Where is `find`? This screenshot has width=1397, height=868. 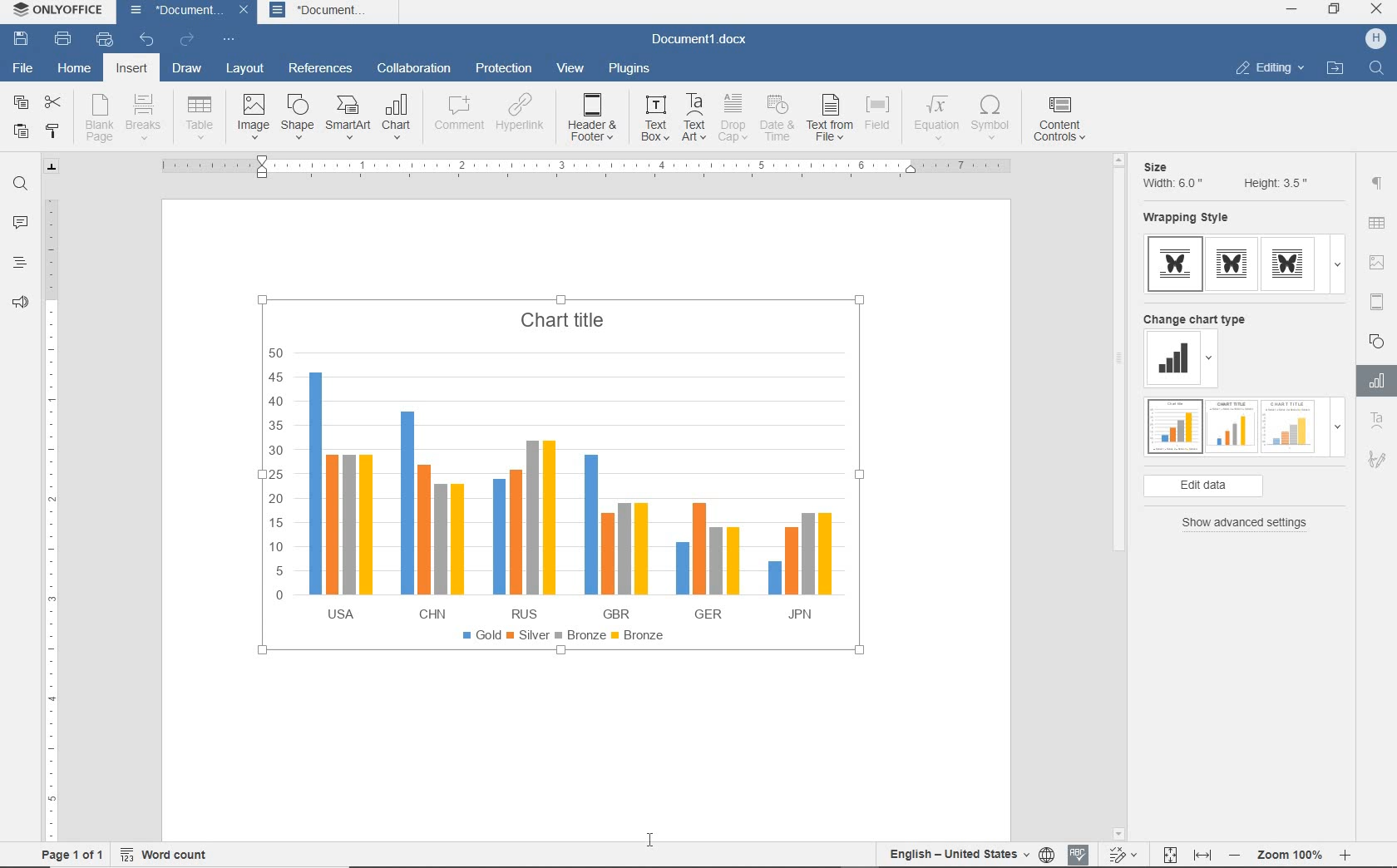
find is located at coordinates (22, 184).